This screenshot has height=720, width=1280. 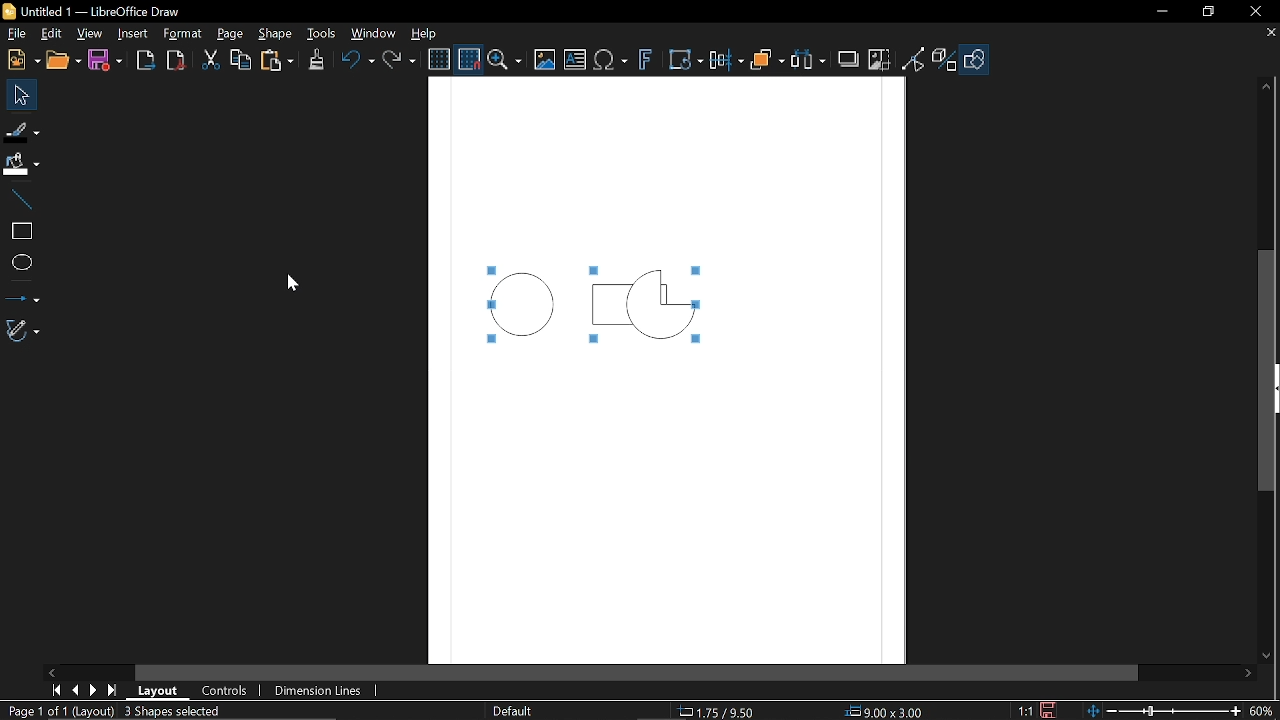 I want to click on Page, so click(x=226, y=35).